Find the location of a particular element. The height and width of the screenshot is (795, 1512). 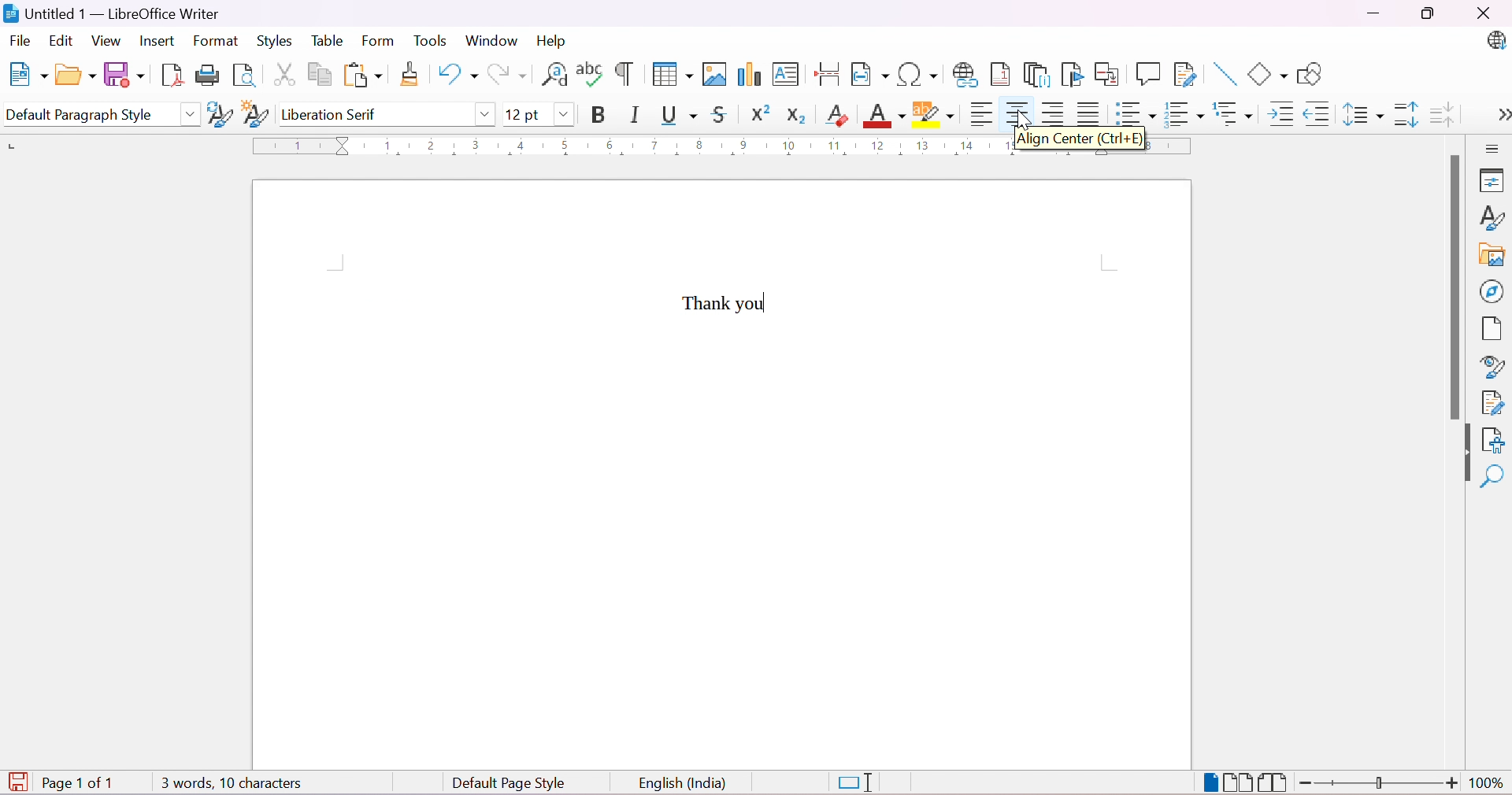

Find is located at coordinates (1492, 475).